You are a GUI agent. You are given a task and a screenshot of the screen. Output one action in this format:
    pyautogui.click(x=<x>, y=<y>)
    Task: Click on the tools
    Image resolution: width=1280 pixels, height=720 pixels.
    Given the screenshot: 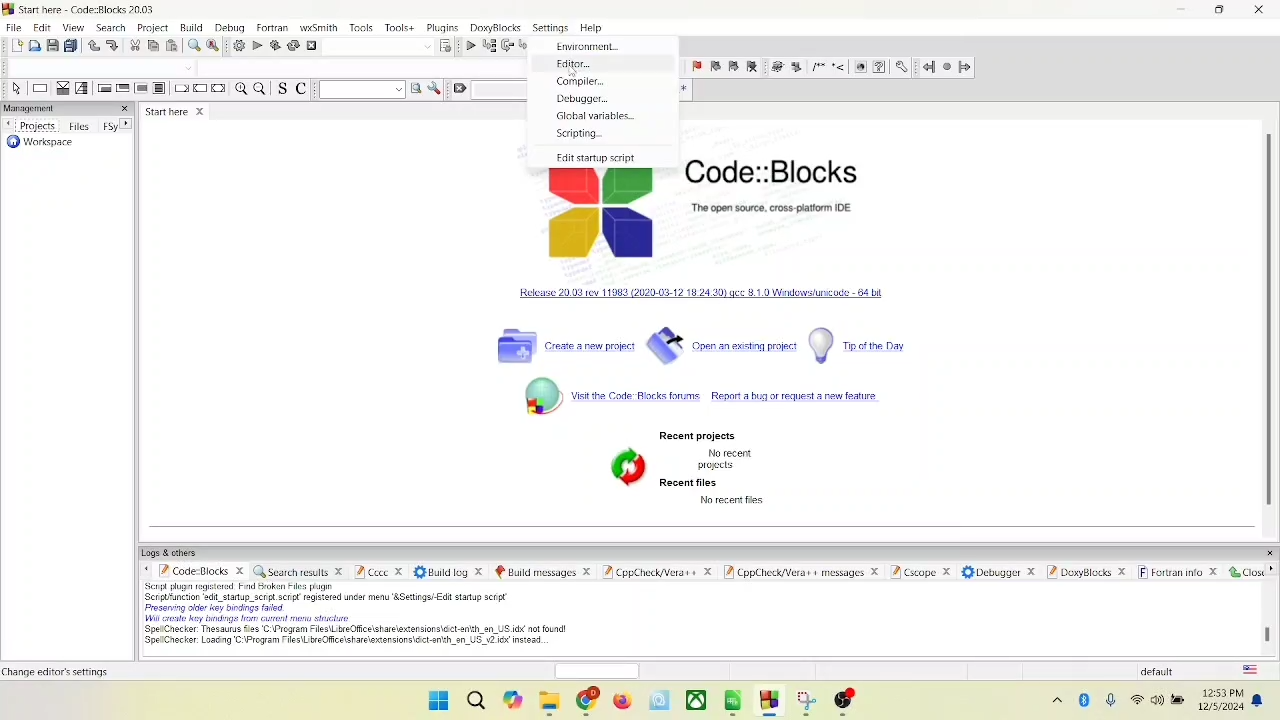 What is the action you would take?
    pyautogui.click(x=402, y=27)
    